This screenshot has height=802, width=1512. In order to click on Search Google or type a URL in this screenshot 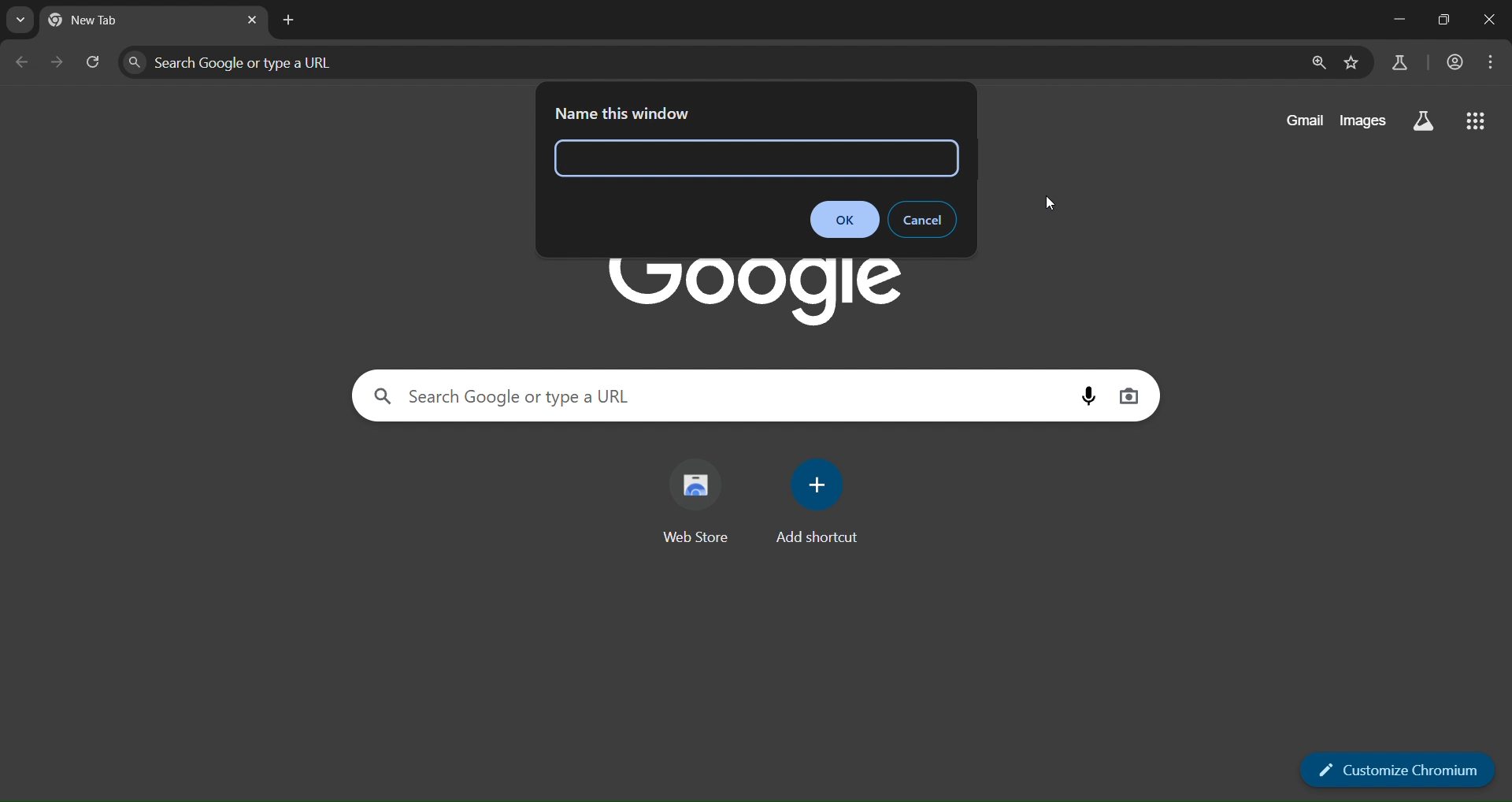, I will do `click(250, 62)`.